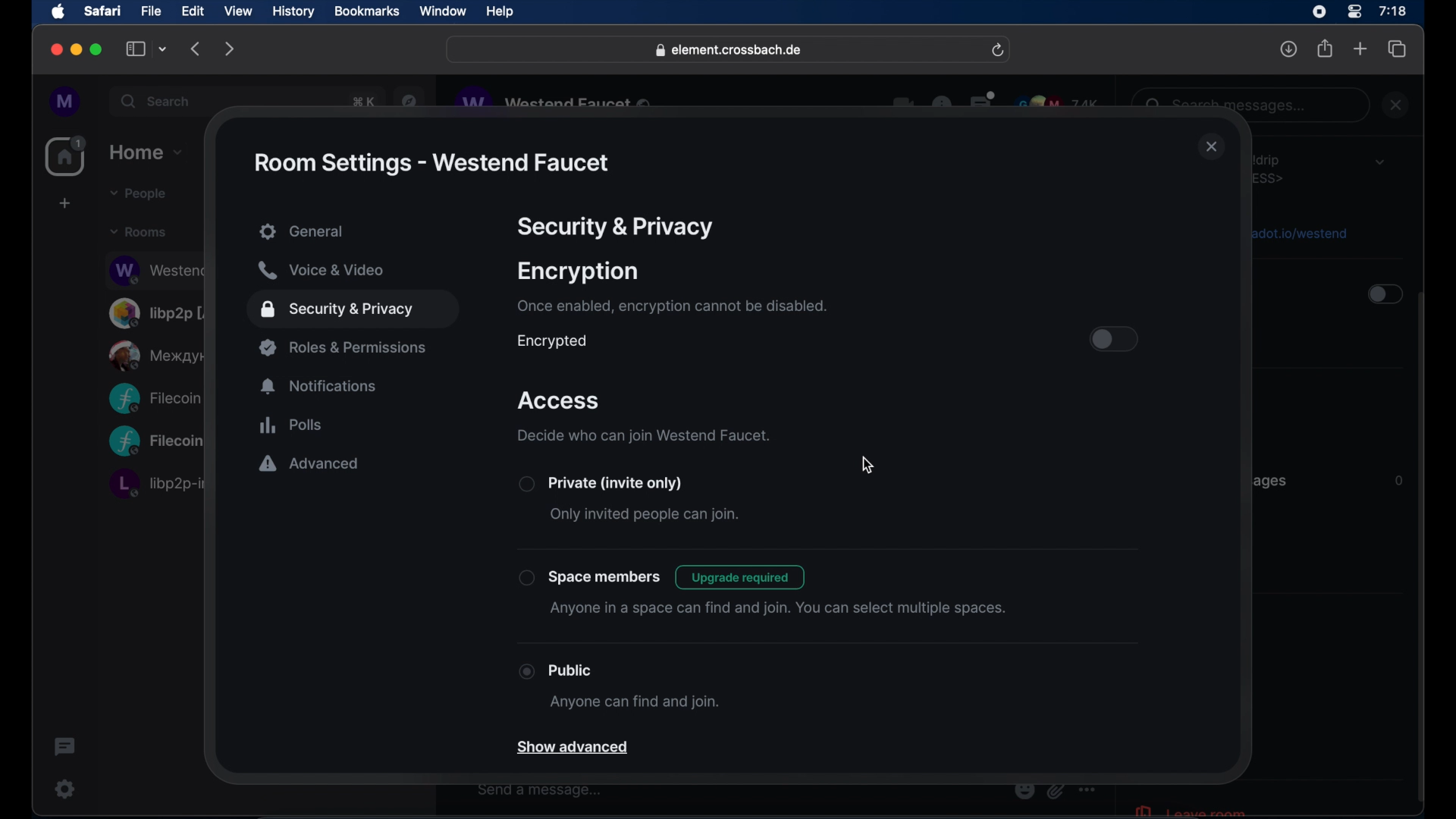  What do you see at coordinates (139, 232) in the screenshot?
I see `rooms dropdown` at bounding box center [139, 232].